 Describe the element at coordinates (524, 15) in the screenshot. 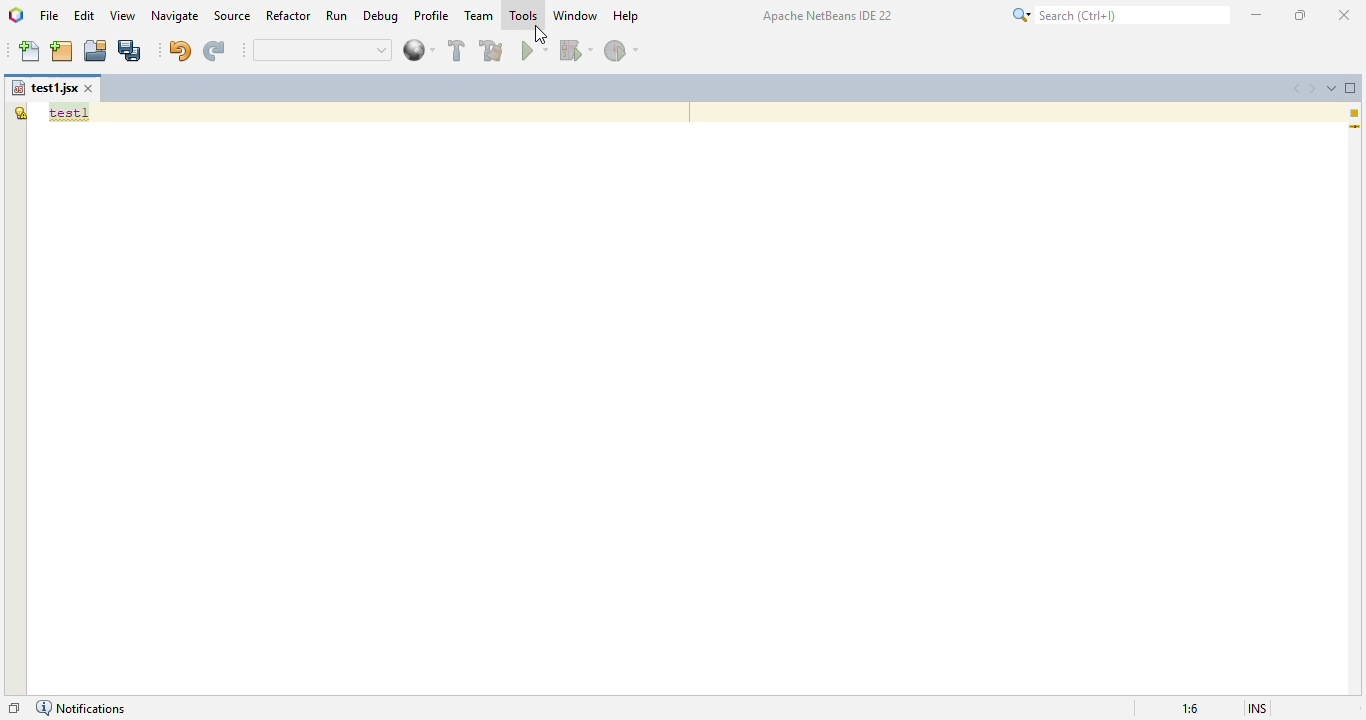

I see `tools` at that location.